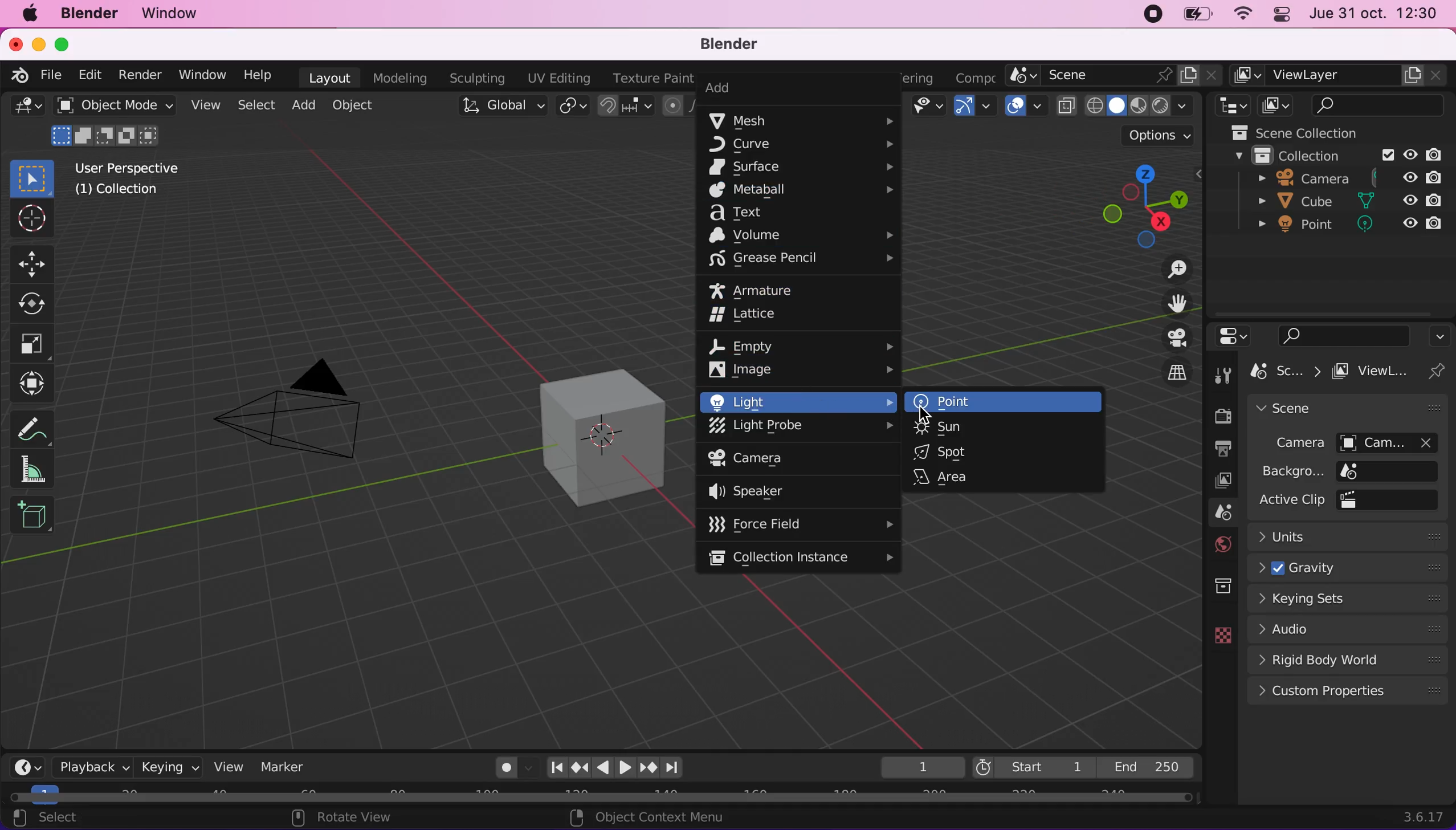 Image resolution: width=1456 pixels, height=830 pixels. I want to click on pin, so click(1441, 371).